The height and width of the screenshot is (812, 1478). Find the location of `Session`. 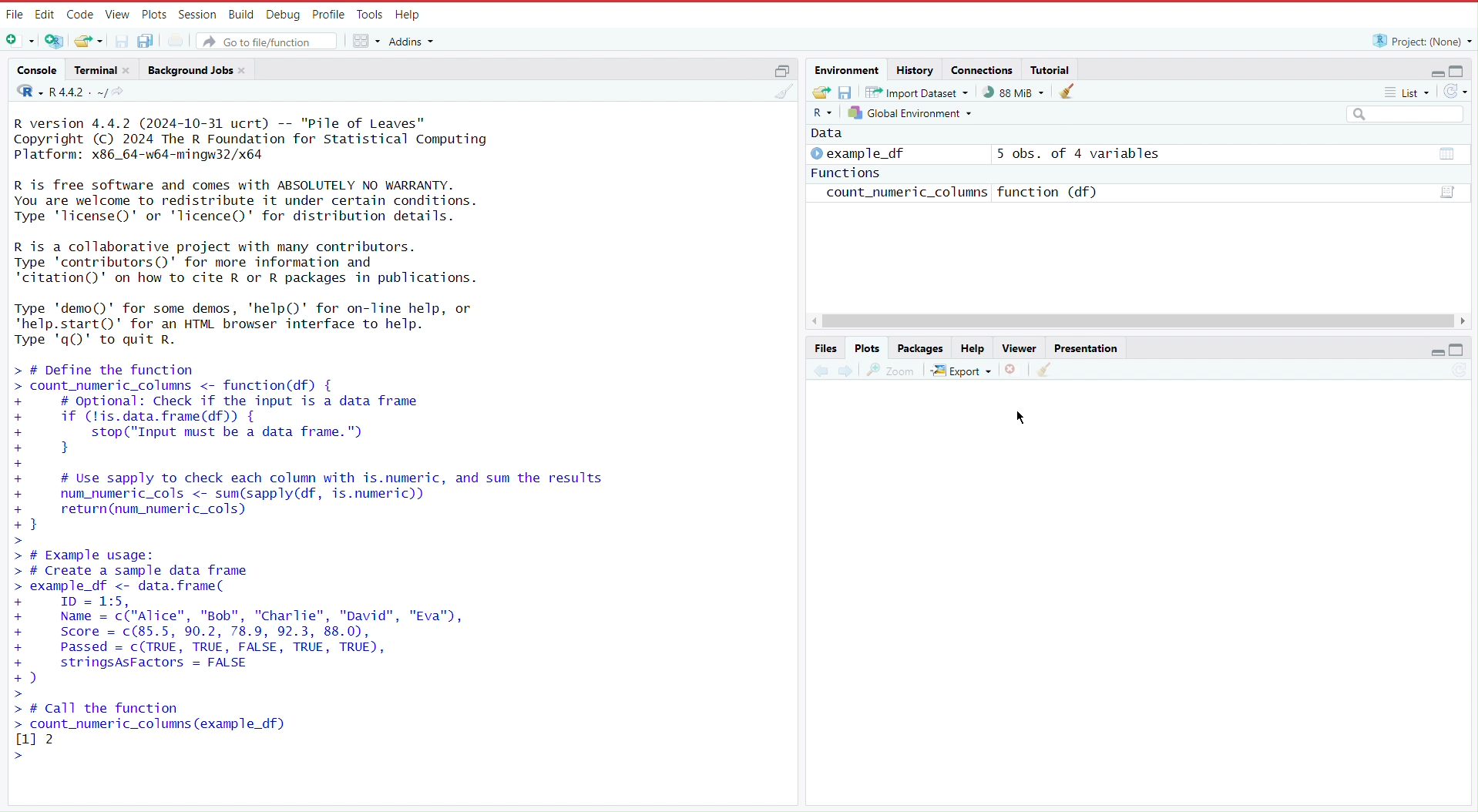

Session is located at coordinates (195, 14).